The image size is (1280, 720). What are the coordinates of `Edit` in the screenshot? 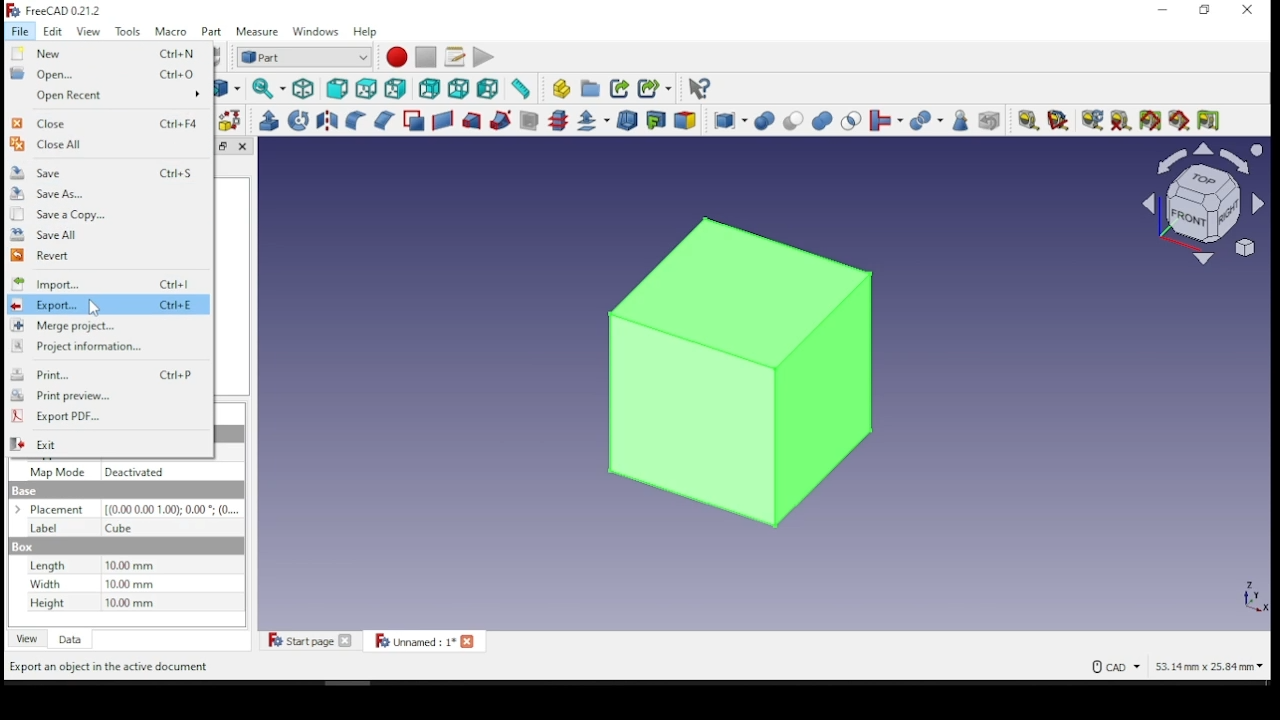 It's located at (52, 31).